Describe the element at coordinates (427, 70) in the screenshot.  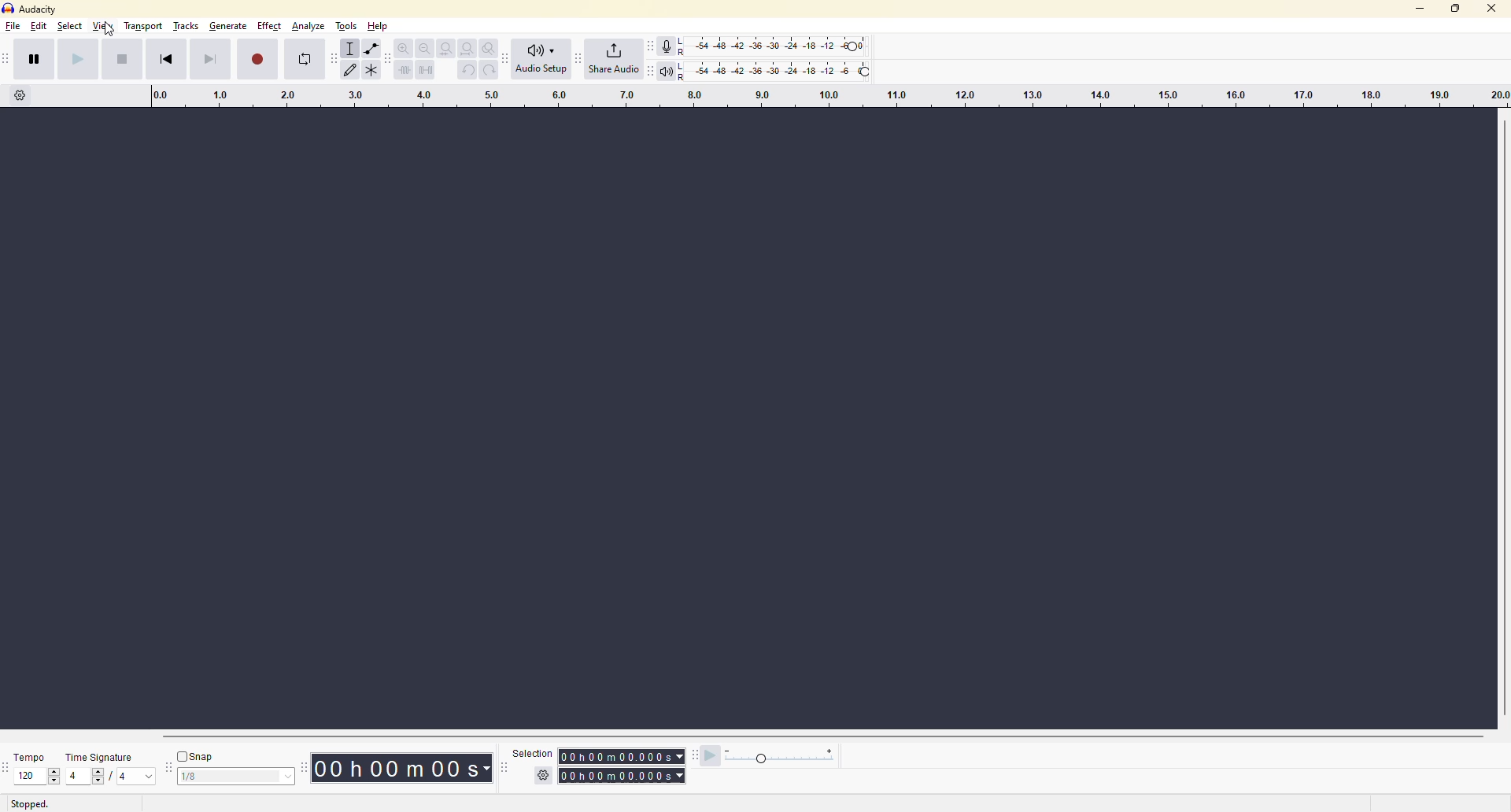
I see `silence audio selection` at that location.